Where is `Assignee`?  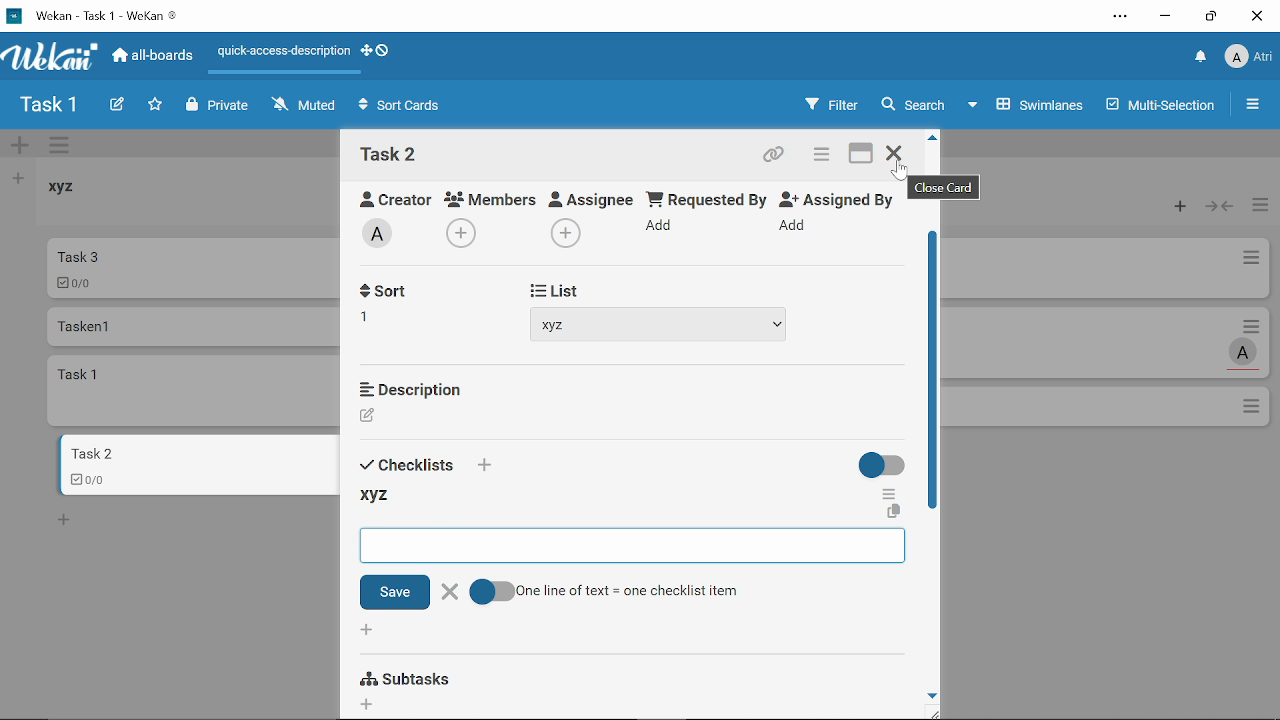
Assignee is located at coordinates (592, 197).